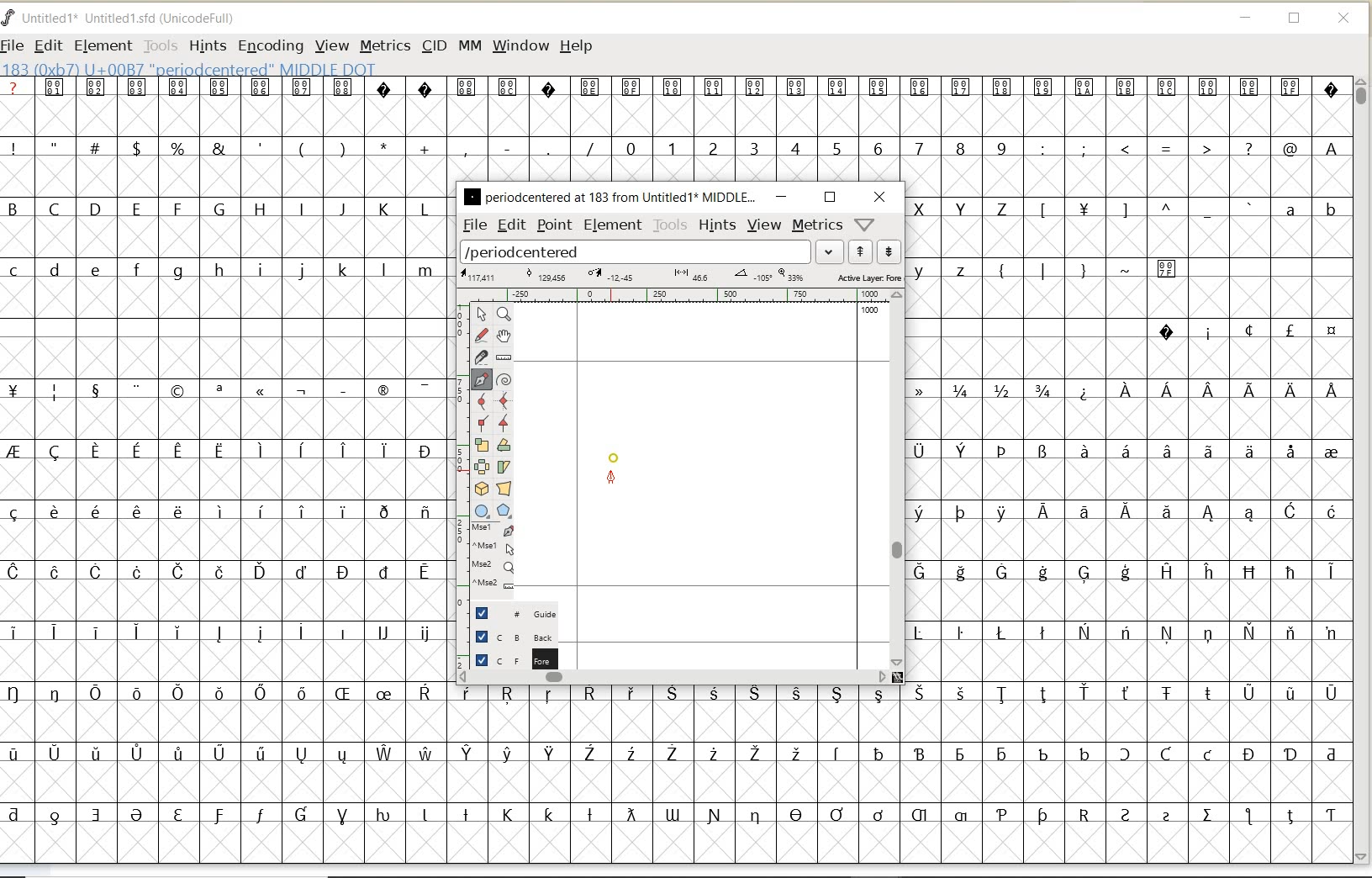 The width and height of the screenshot is (1372, 878). Describe the element at coordinates (14, 45) in the screenshot. I see `FILE` at that location.